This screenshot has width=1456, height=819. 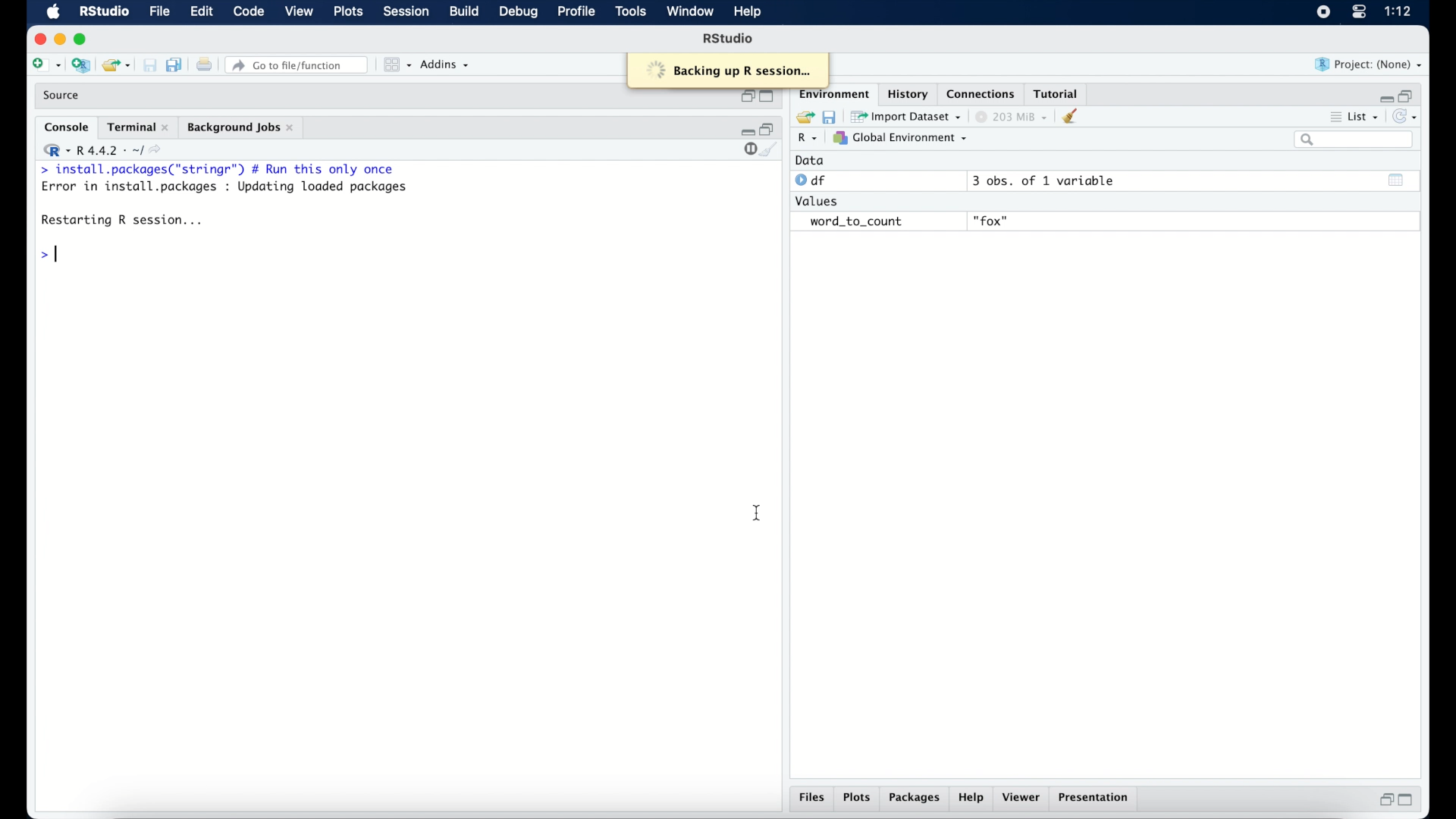 I want to click on minimize, so click(x=59, y=39).